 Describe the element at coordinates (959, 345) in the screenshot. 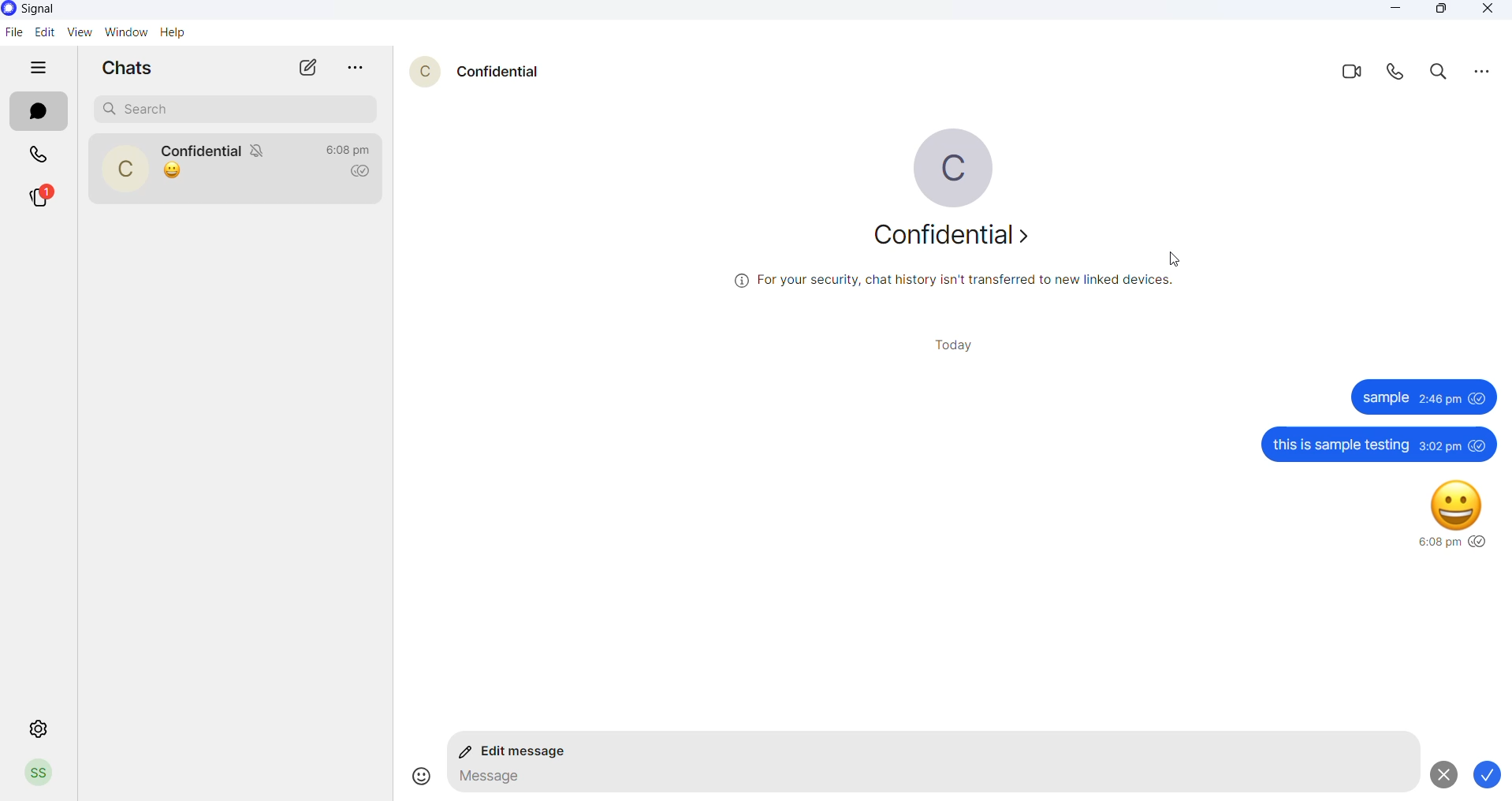

I see `today heading` at that location.